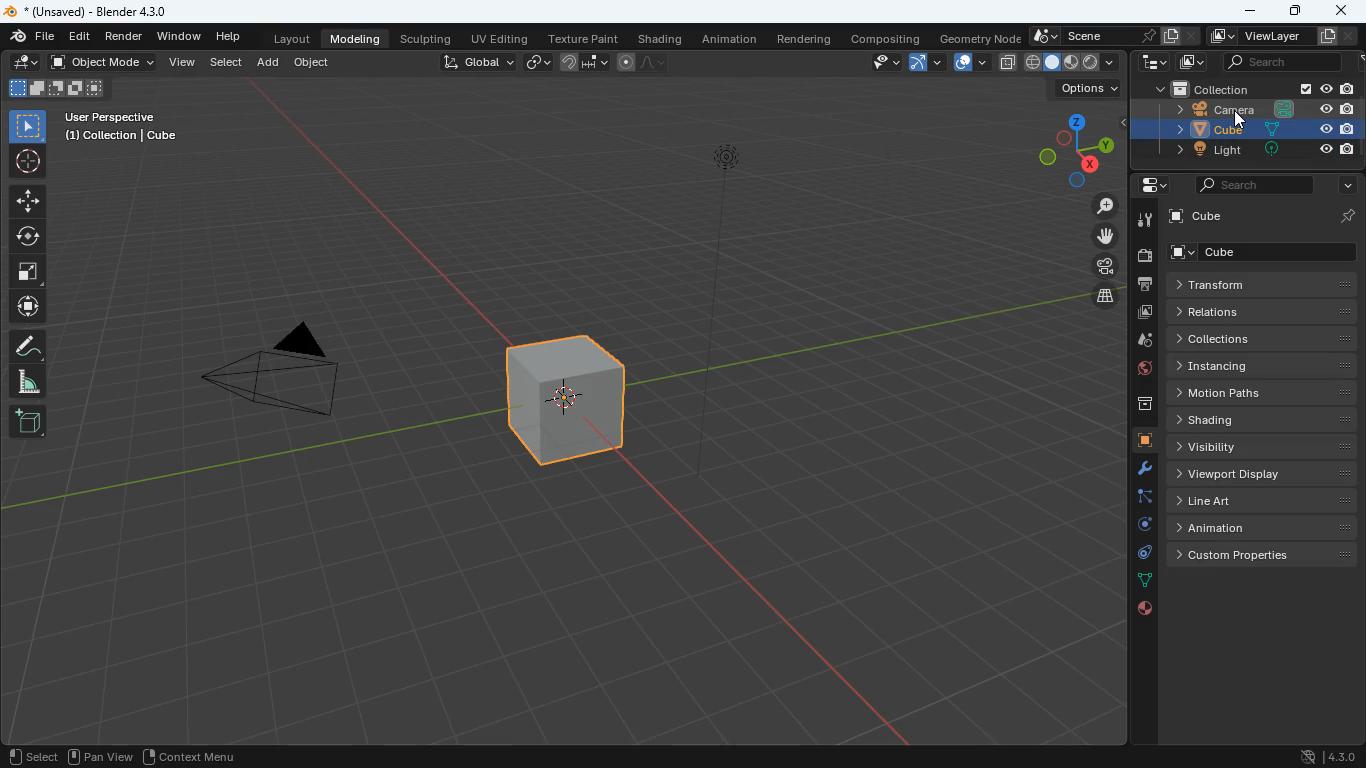 This screenshot has width=1366, height=768. I want to click on settings, so click(1147, 185).